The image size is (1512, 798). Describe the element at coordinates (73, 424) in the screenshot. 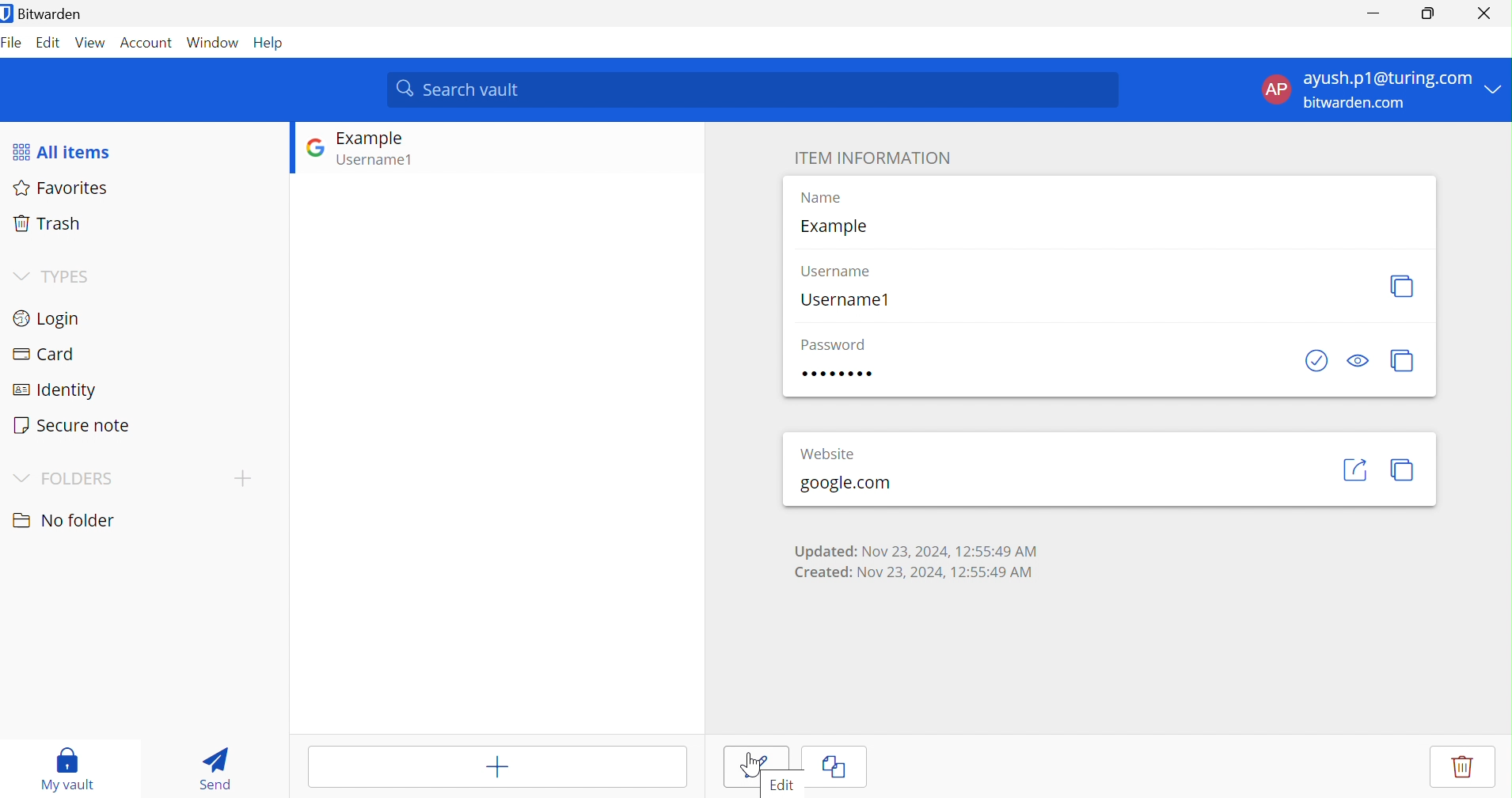

I see `Secure note` at that location.